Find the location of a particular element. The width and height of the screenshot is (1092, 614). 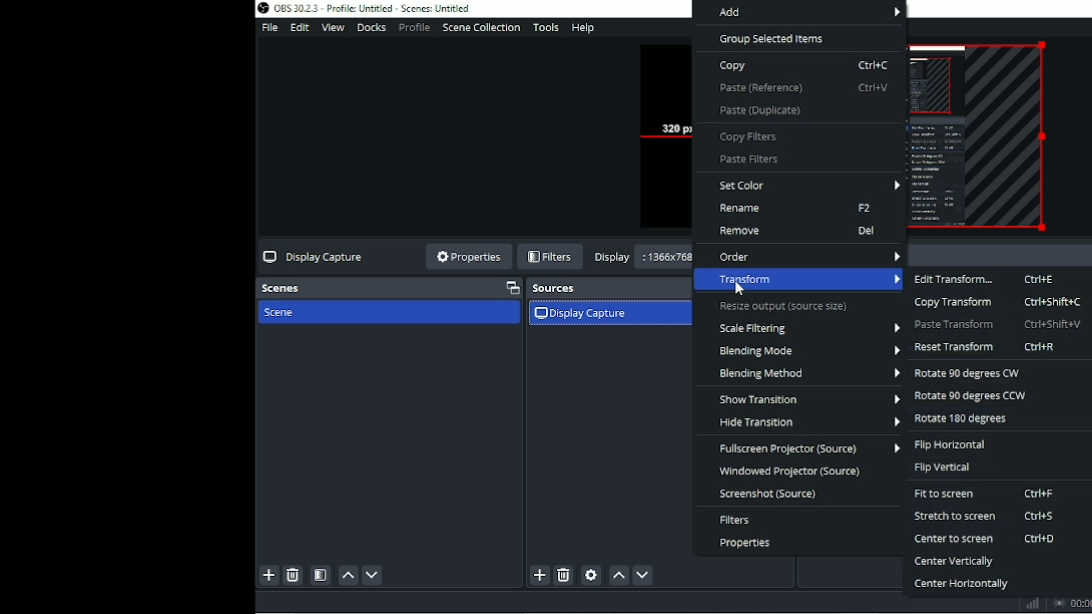

Title is located at coordinates (371, 8).